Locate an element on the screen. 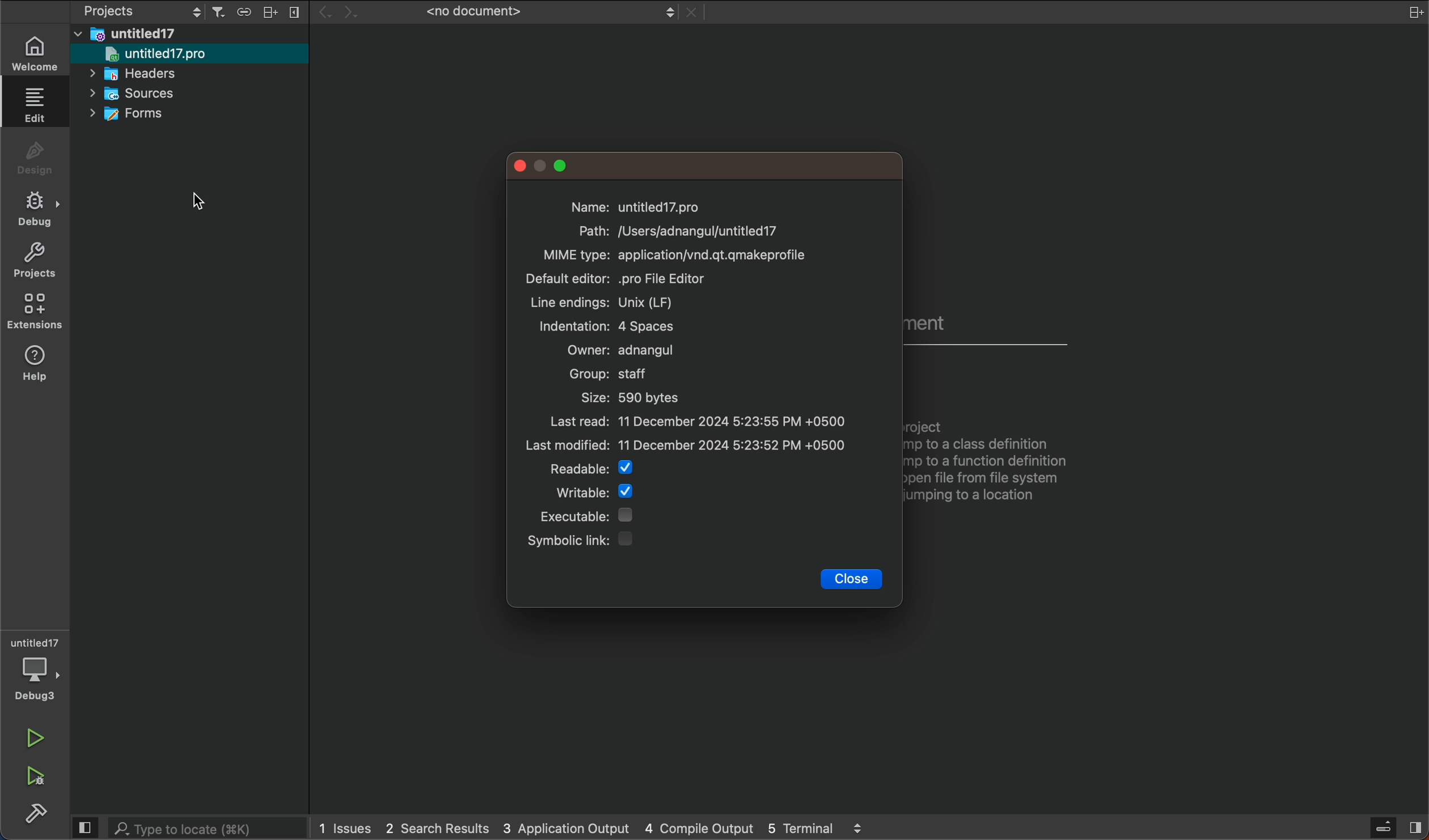  issues is located at coordinates (346, 826).